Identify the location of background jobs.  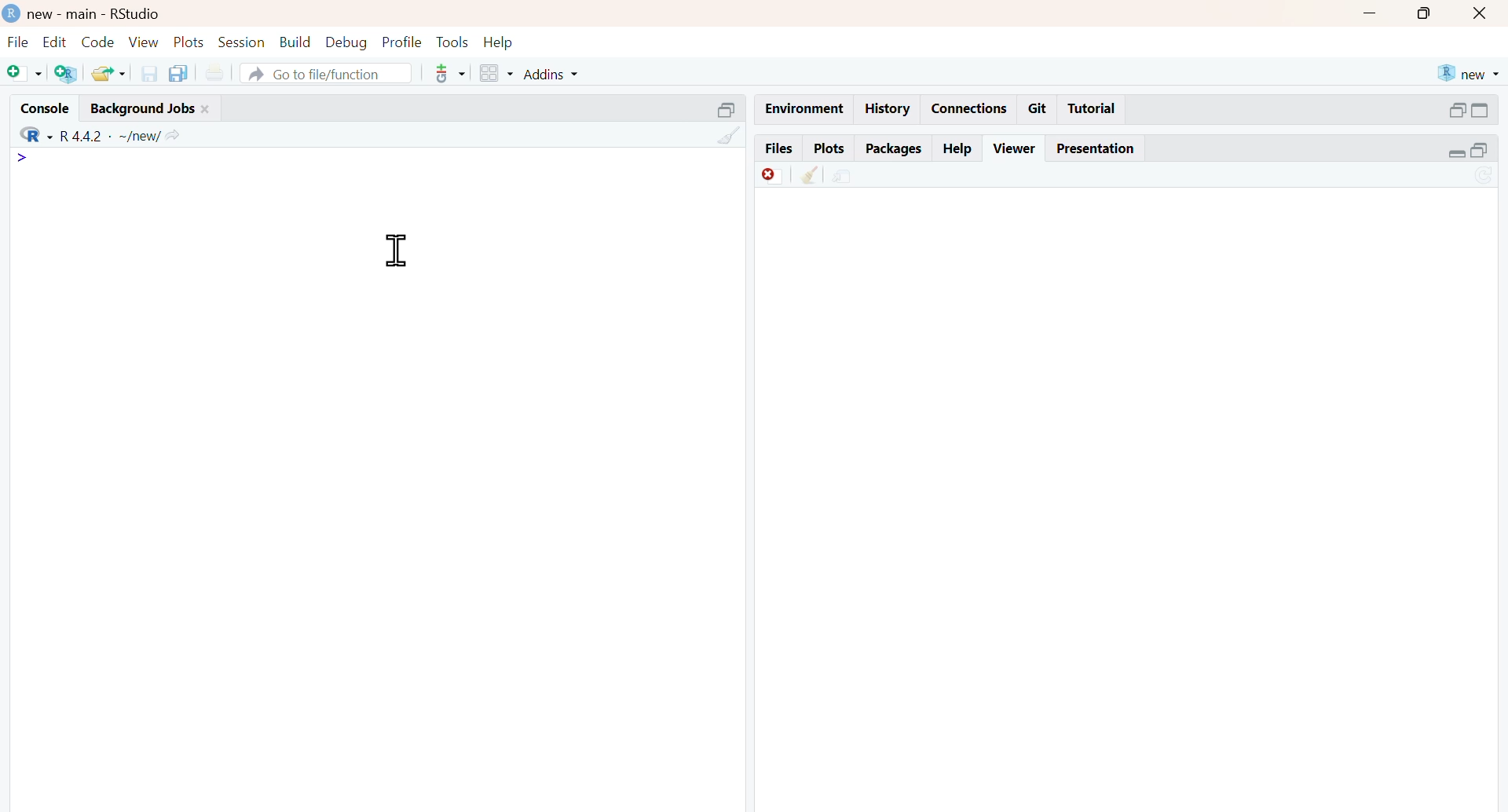
(143, 111).